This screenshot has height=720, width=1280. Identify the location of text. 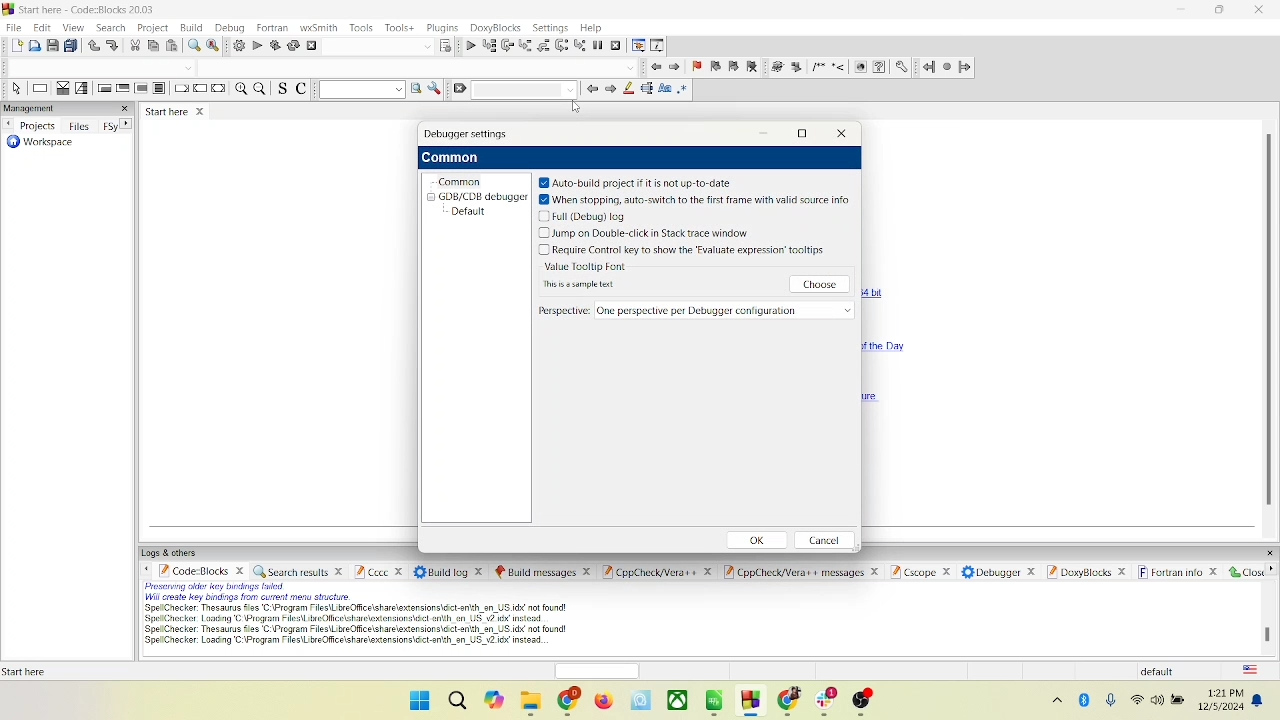
(586, 286).